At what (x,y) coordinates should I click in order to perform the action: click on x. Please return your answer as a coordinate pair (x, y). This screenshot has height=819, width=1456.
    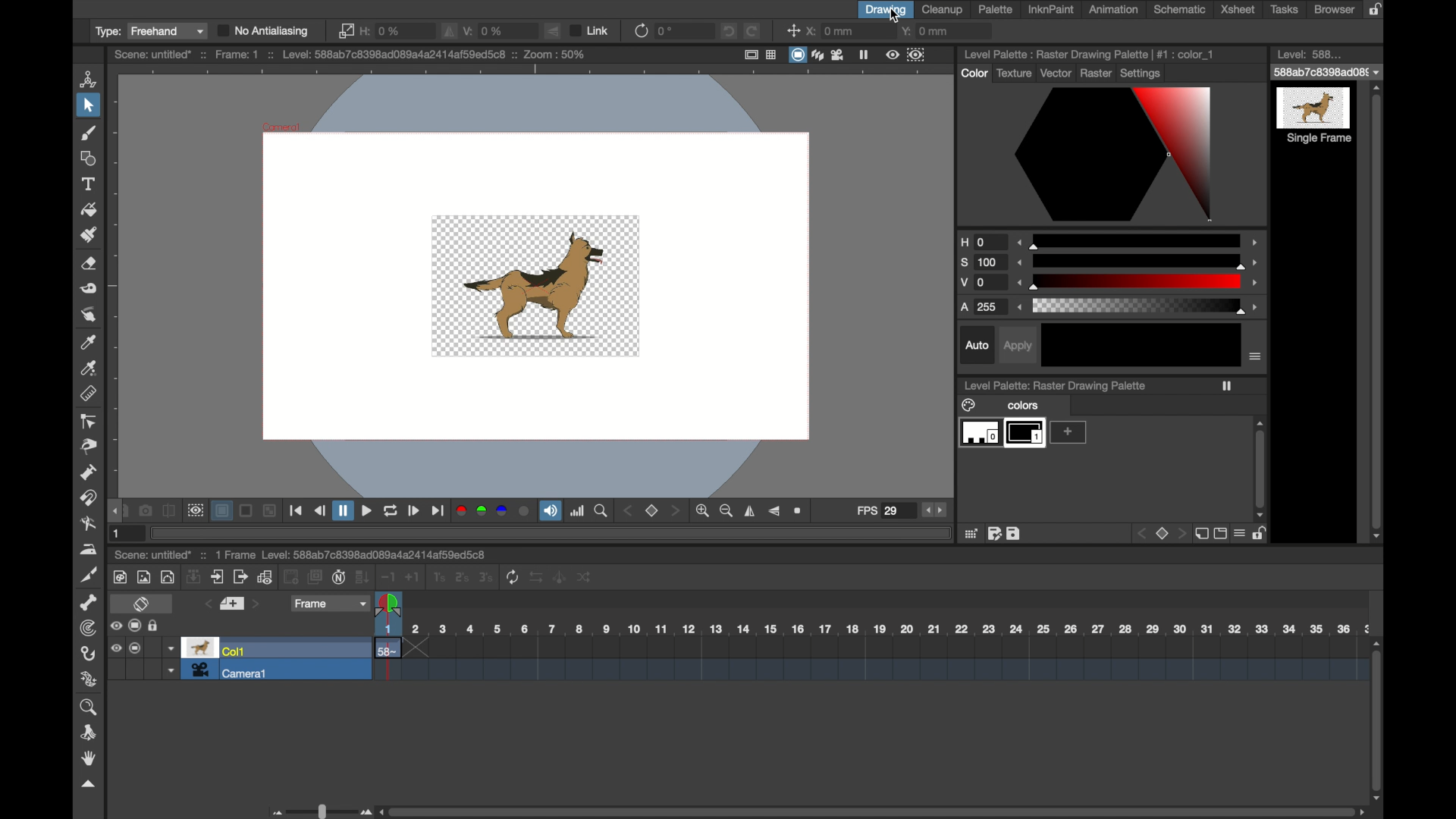
    Looking at the image, I should click on (831, 31).